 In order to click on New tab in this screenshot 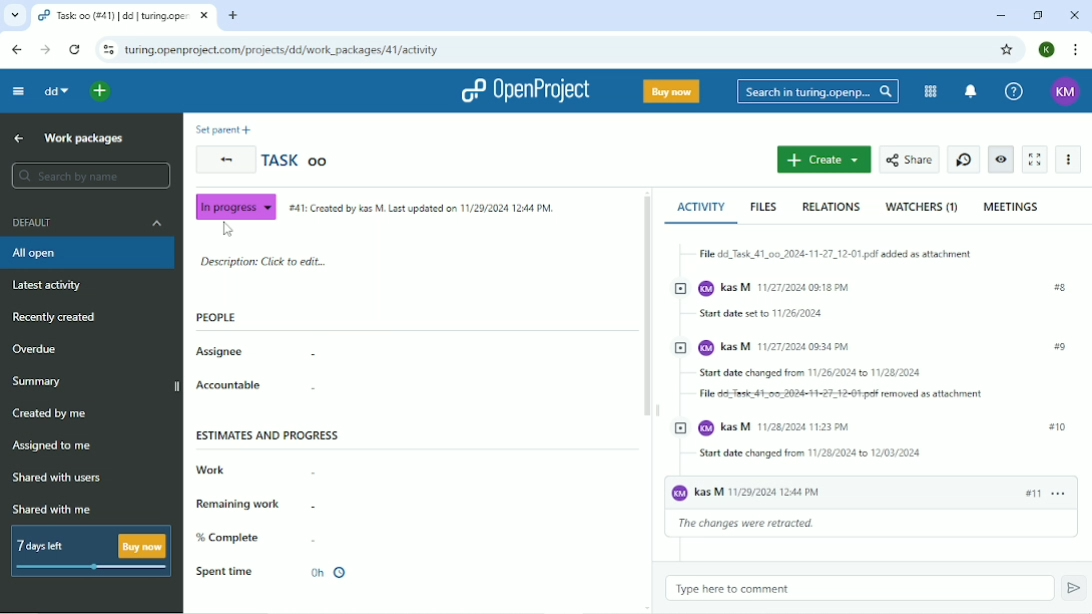, I will do `click(233, 14)`.